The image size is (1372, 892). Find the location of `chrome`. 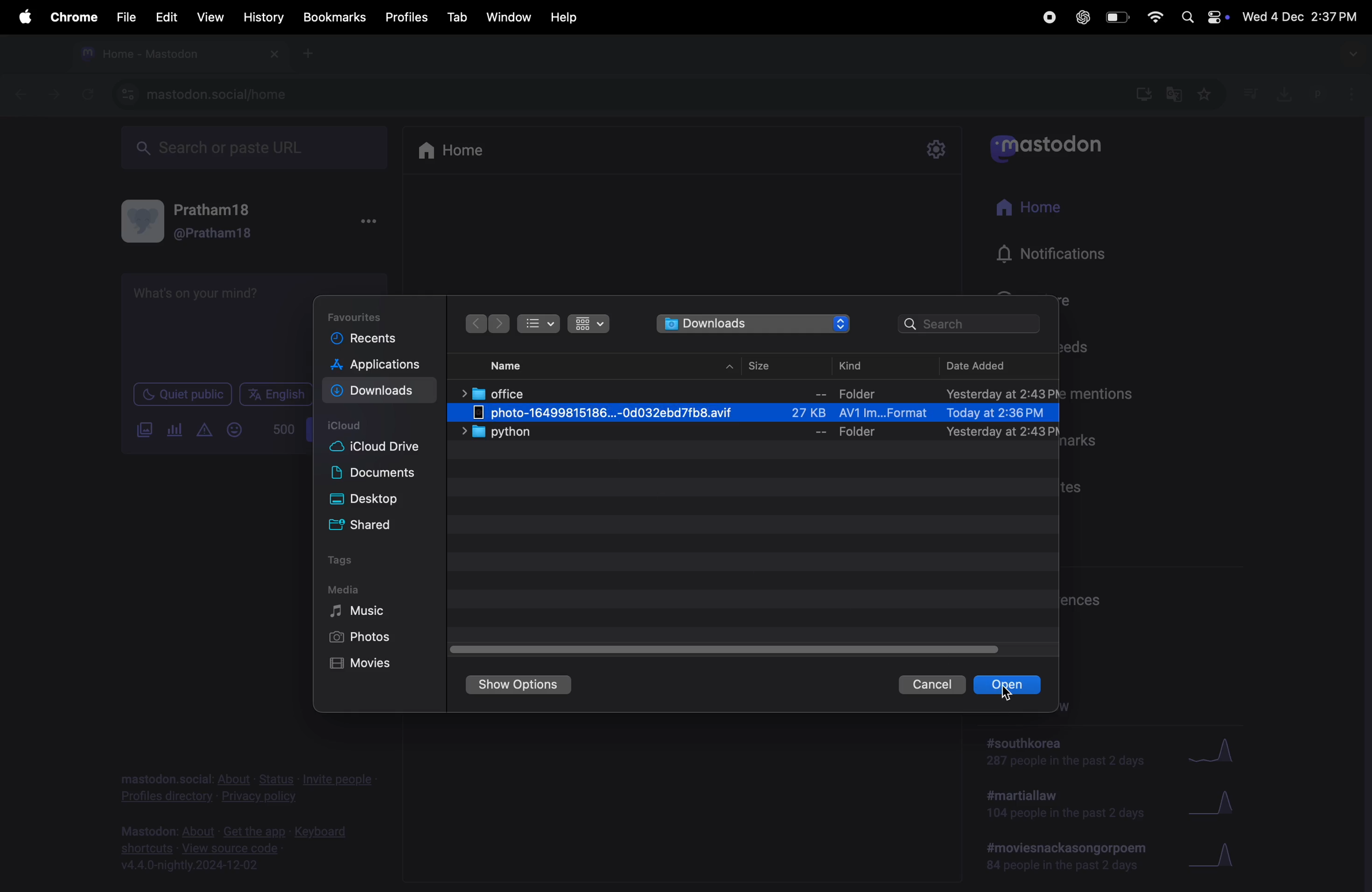

chrome is located at coordinates (71, 17).